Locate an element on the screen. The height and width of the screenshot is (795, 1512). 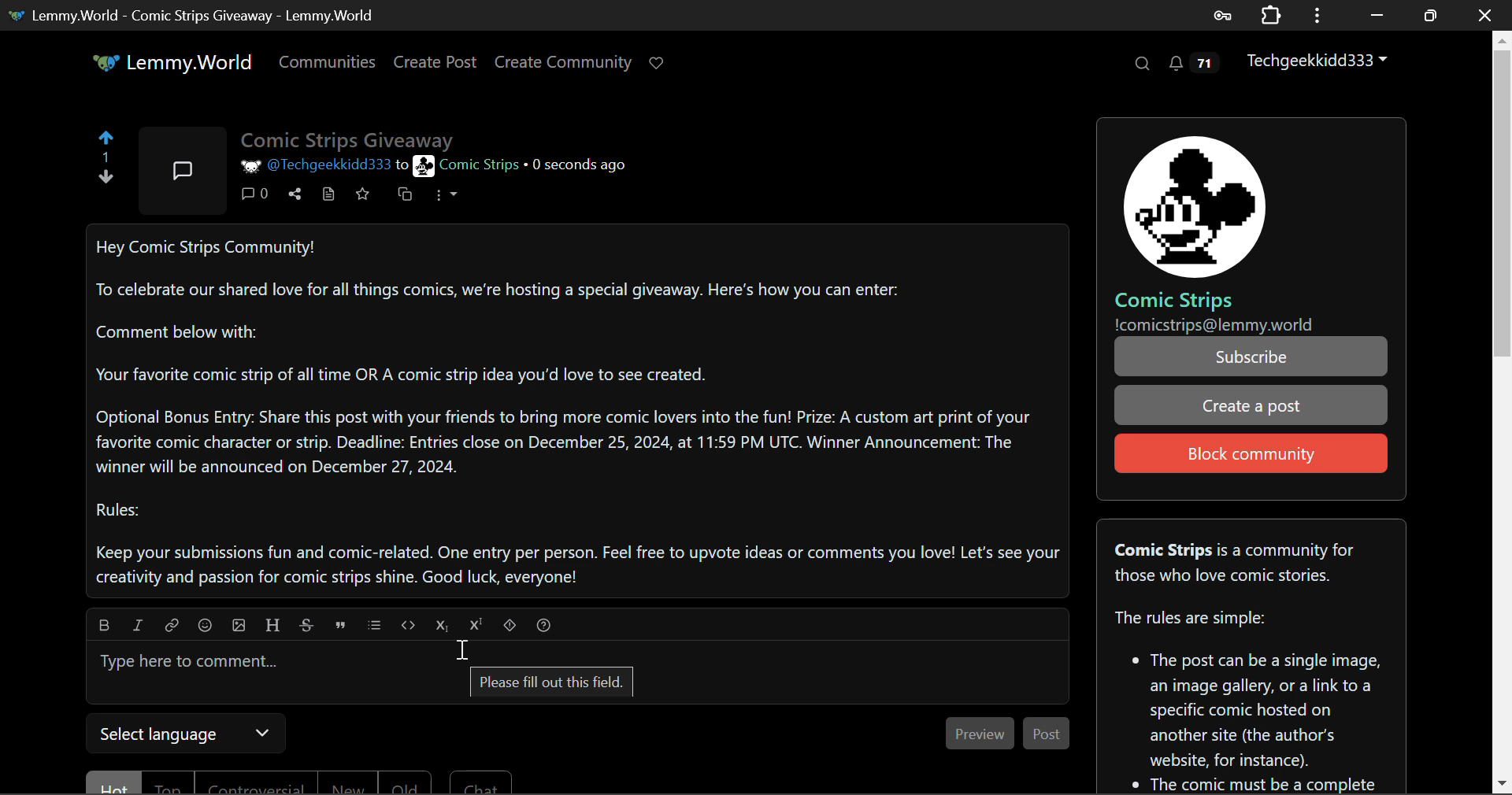
Techgeekkidd333 is located at coordinates (1314, 62).